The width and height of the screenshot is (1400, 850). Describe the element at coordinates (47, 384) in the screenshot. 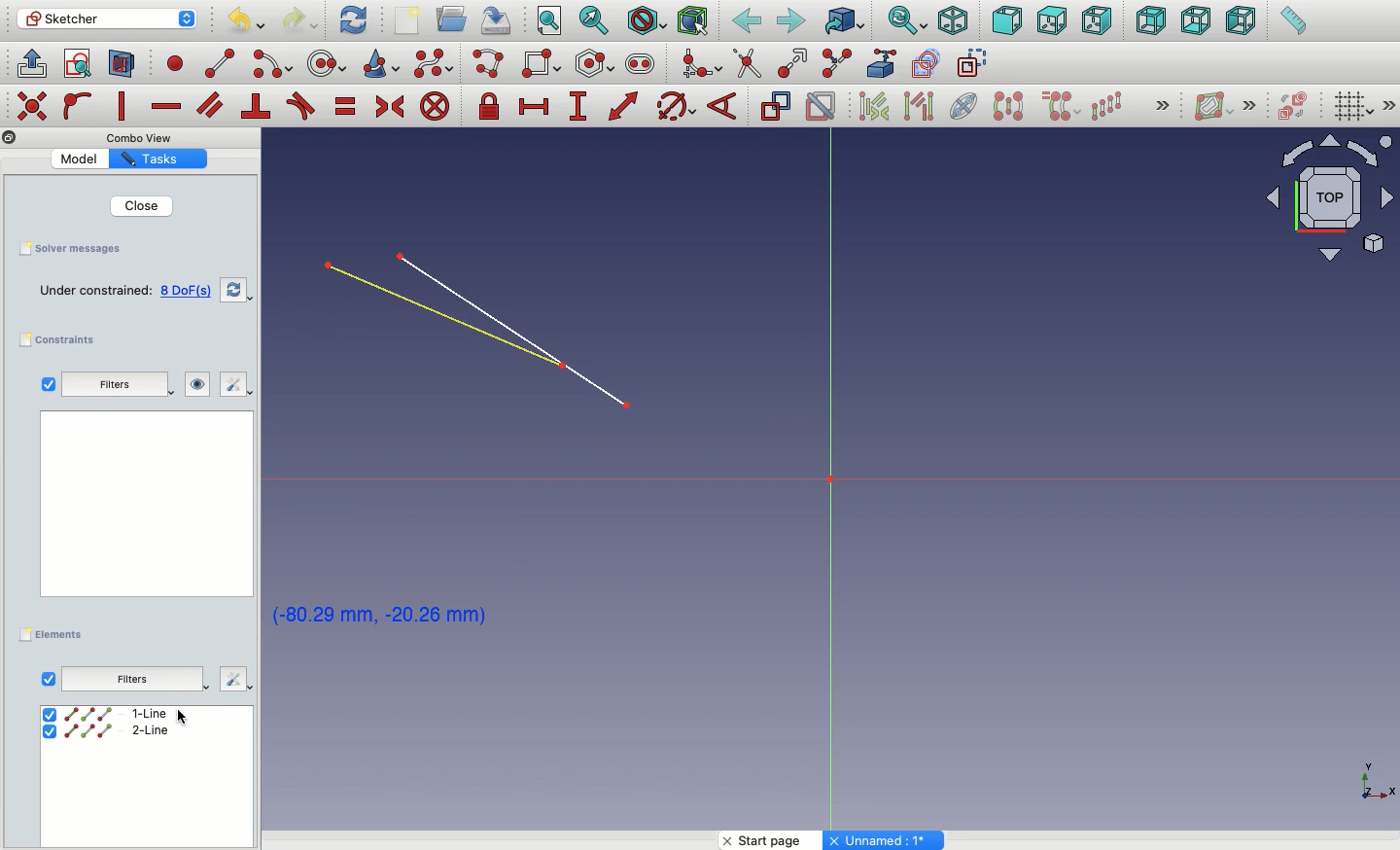

I see `Checkbox` at that location.